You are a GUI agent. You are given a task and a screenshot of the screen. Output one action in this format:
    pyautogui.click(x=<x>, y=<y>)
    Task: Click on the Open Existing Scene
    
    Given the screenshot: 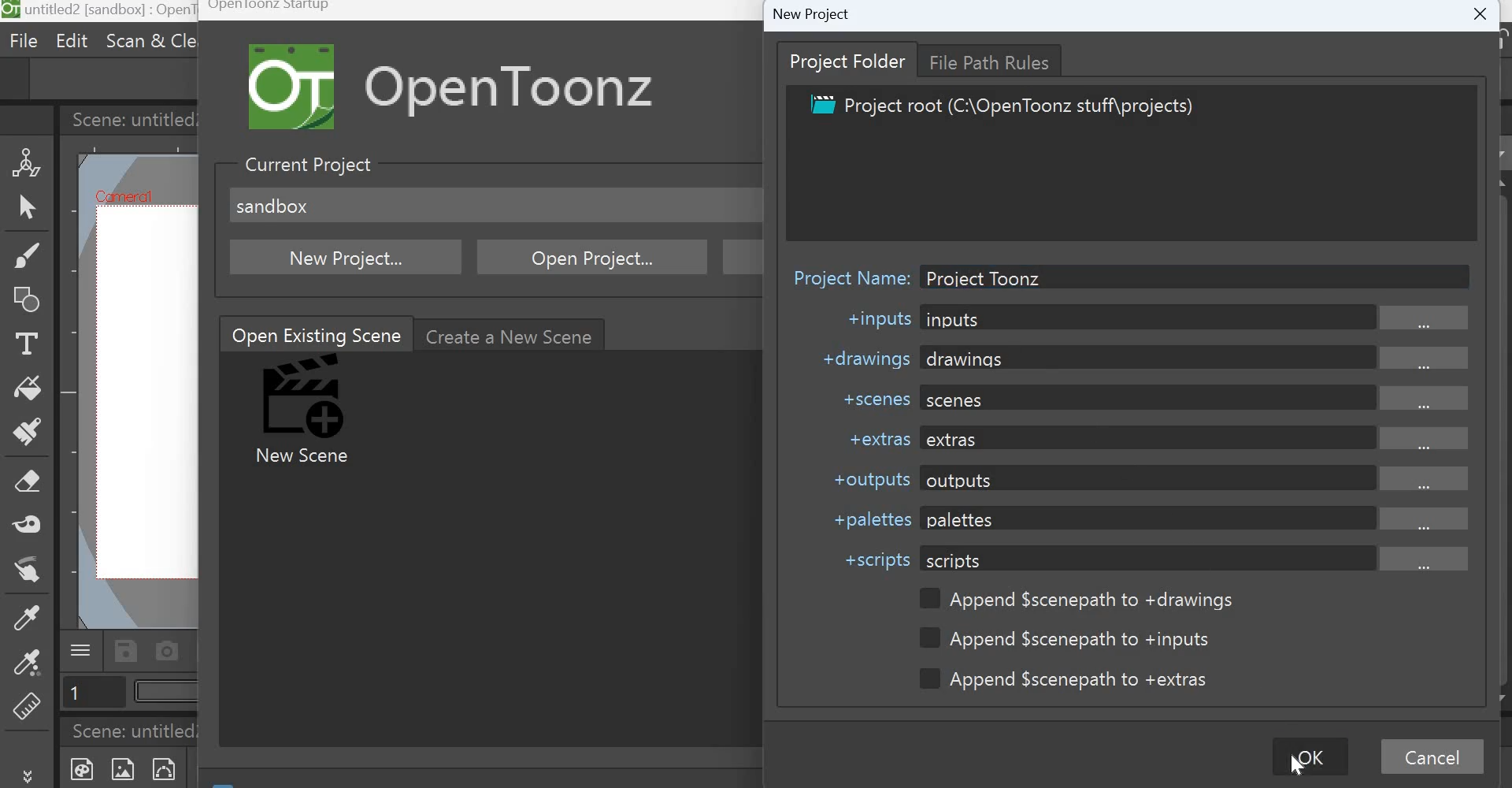 What is the action you would take?
    pyautogui.click(x=315, y=333)
    